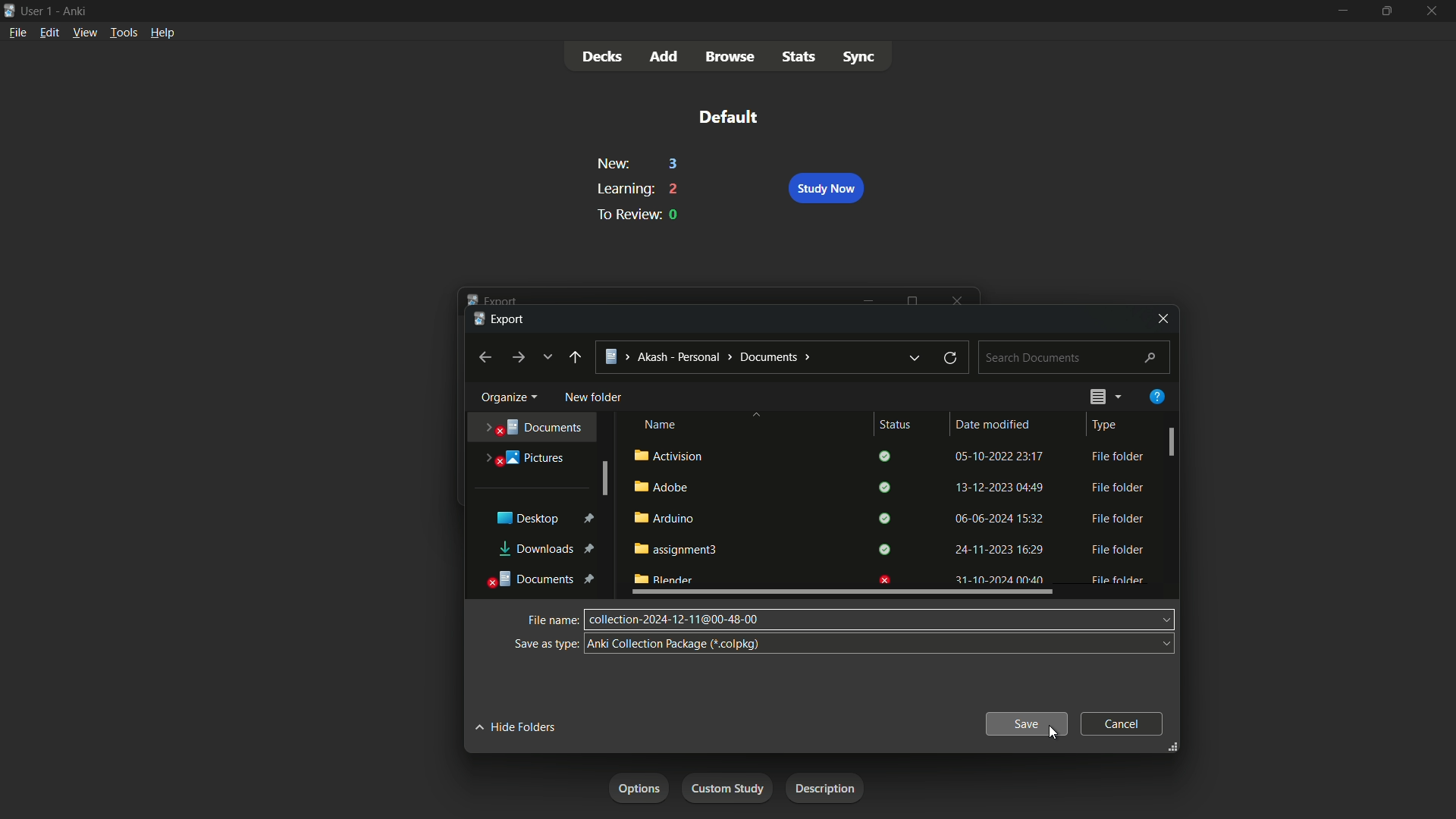 The height and width of the screenshot is (819, 1456). I want to click on add, so click(665, 58).